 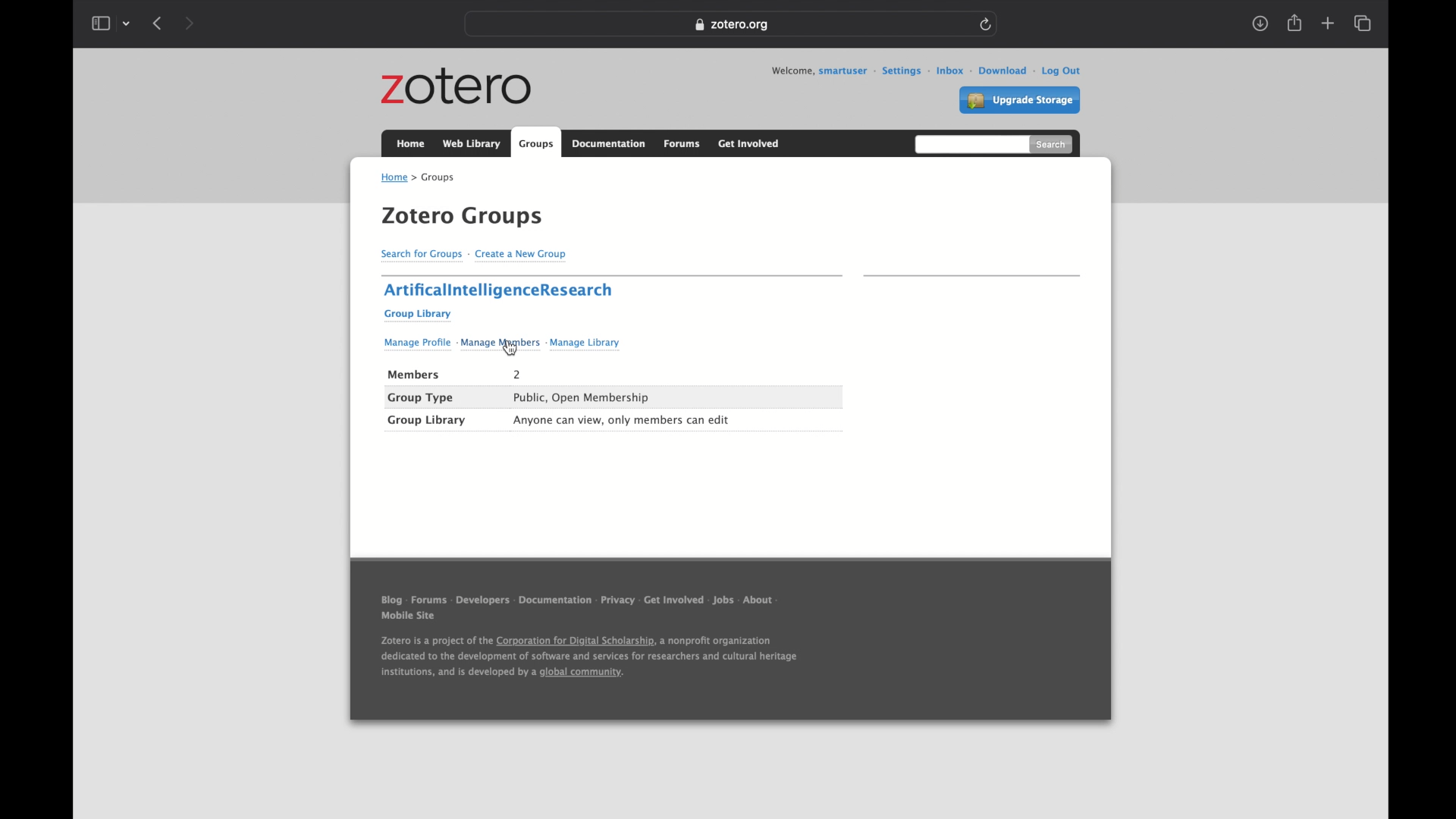 I want to click on search, so click(x=1051, y=143).